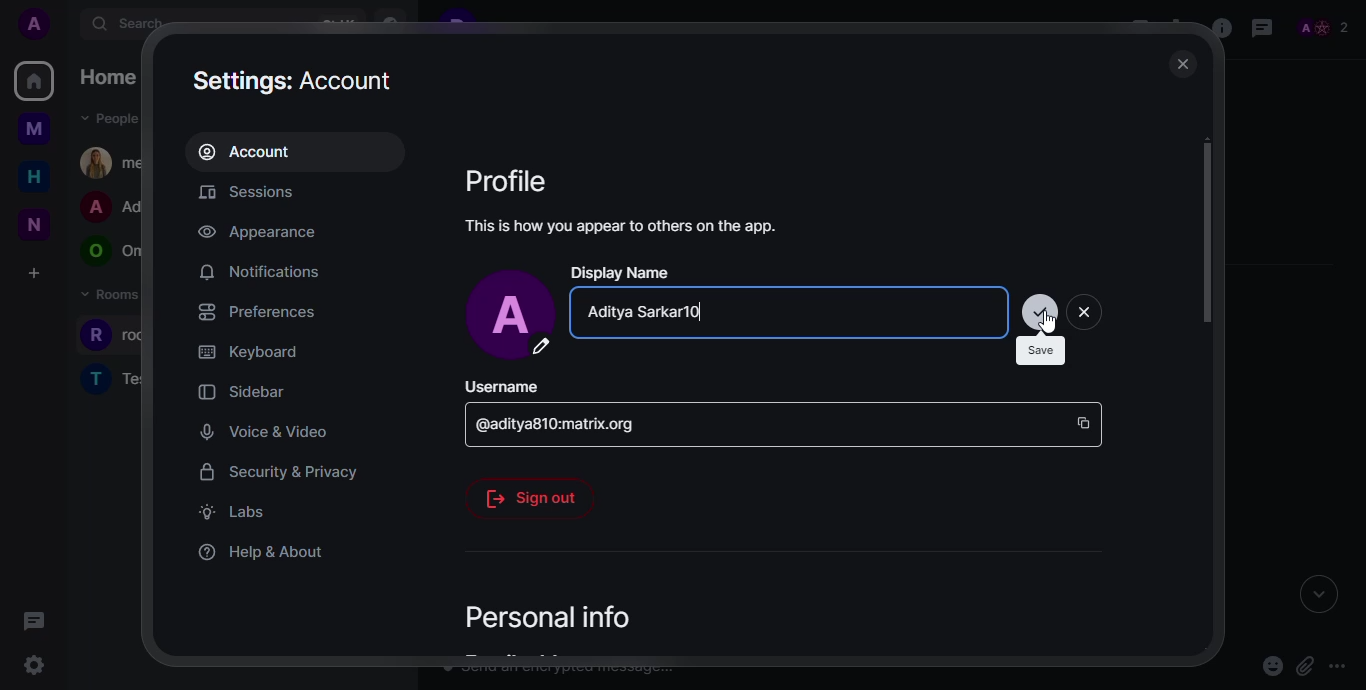 The width and height of the screenshot is (1366, 690). I want to click on , so click(1048, 324).